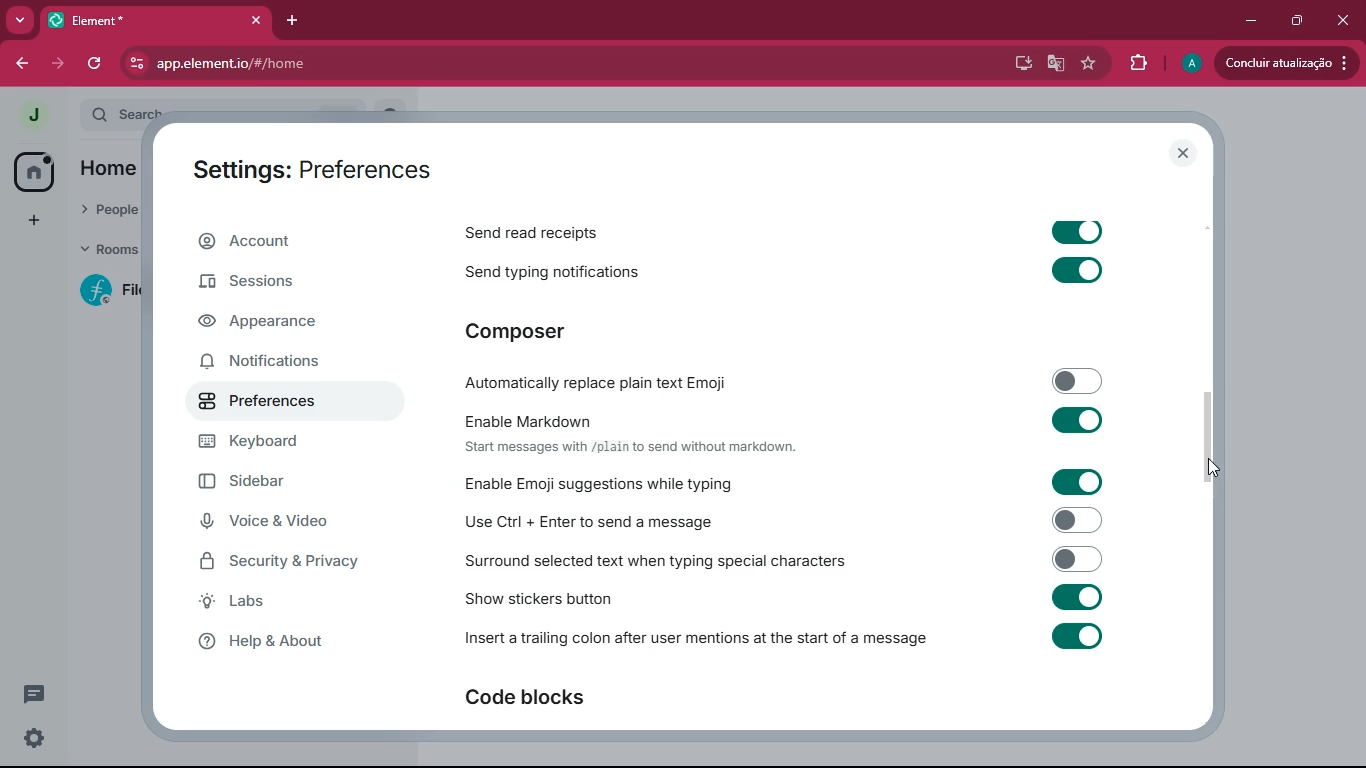 The width and height of the screenshot is (1366, 768). Describe the element at coordinates (1136, 62) in the screenshot. I see `extensions` at that location.